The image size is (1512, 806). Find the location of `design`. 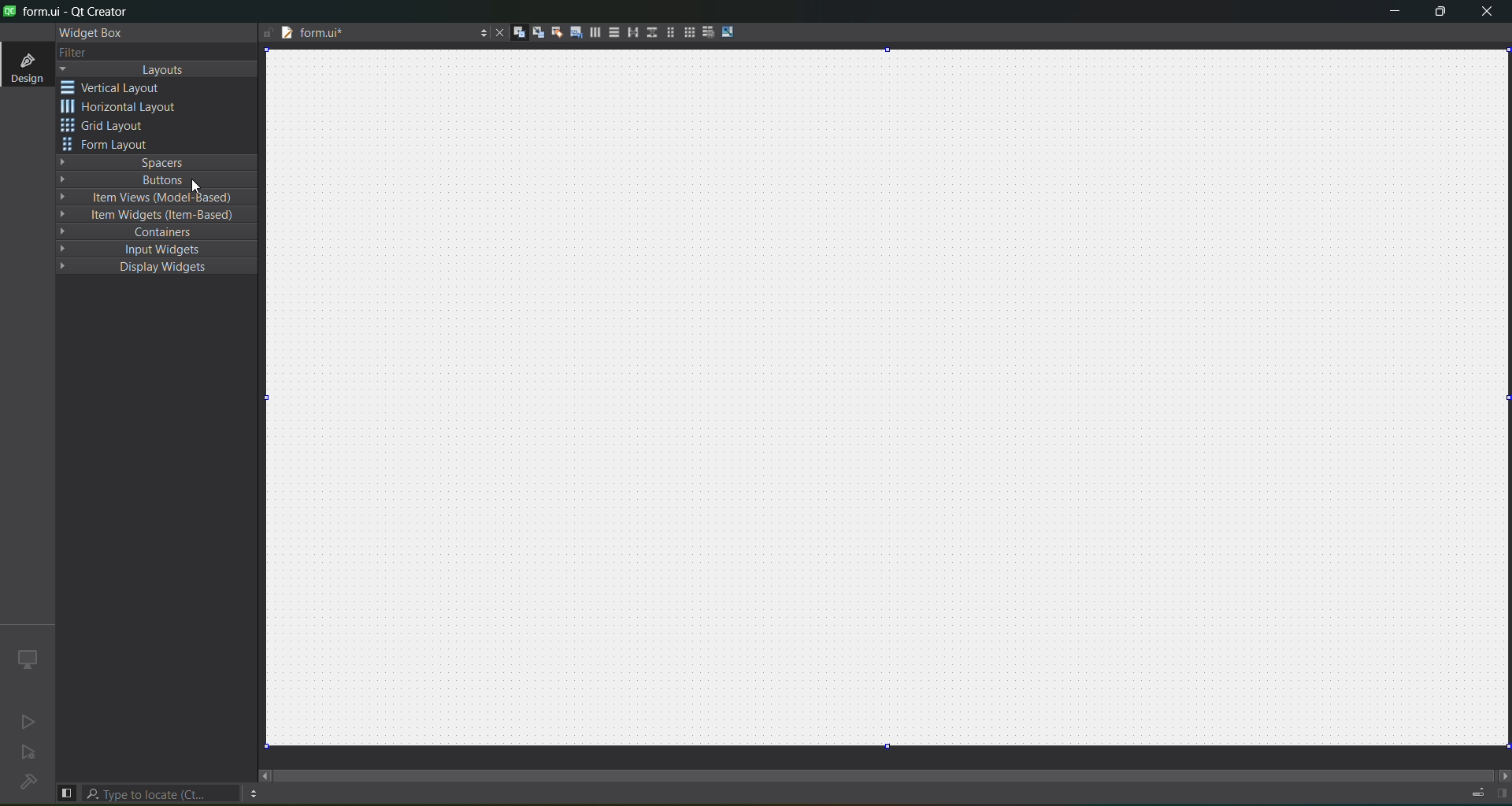

design is located at coordinates (25, 66).